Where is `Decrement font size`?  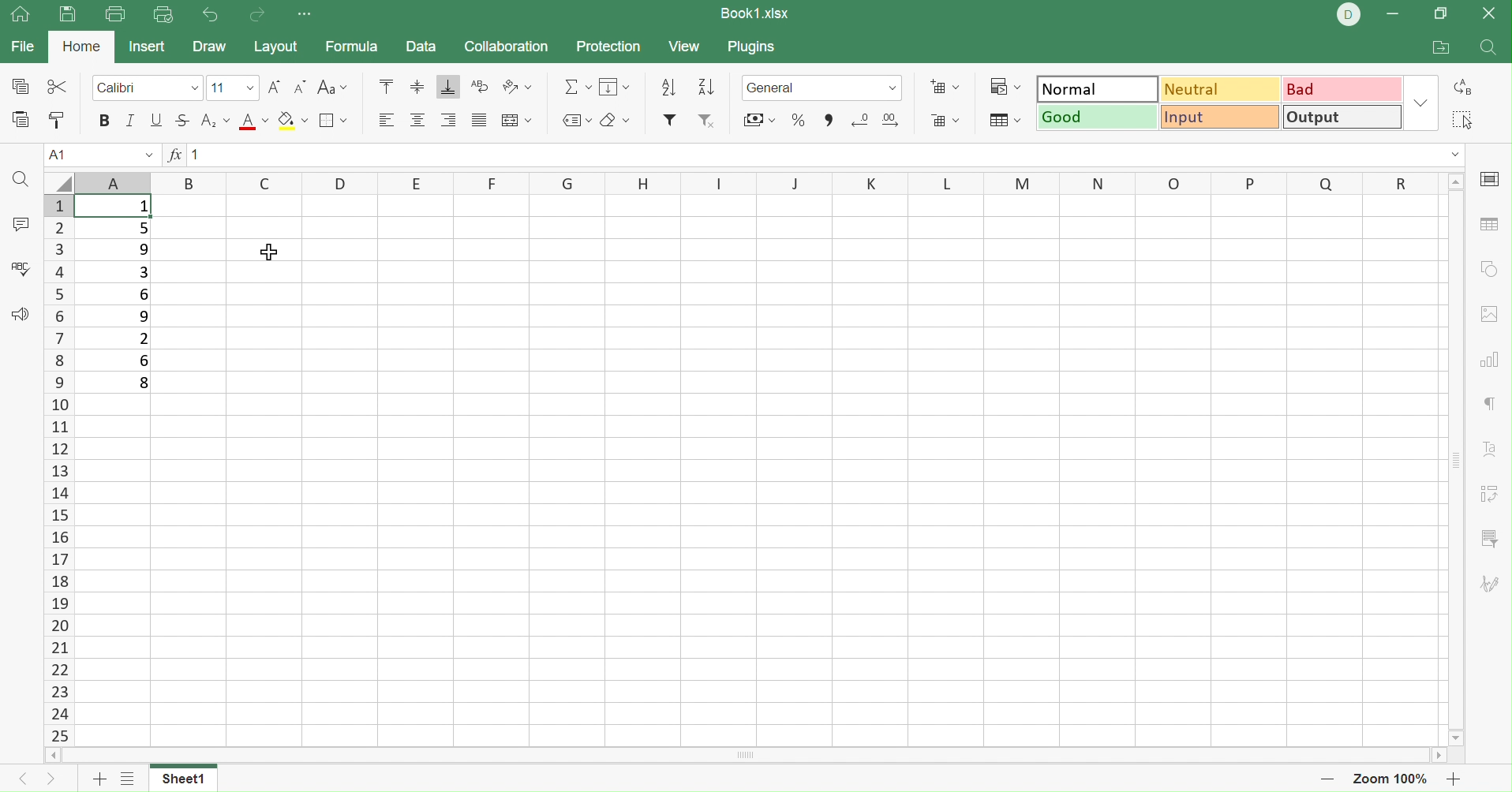
Decrement font size is located at coordinates (300, 87).